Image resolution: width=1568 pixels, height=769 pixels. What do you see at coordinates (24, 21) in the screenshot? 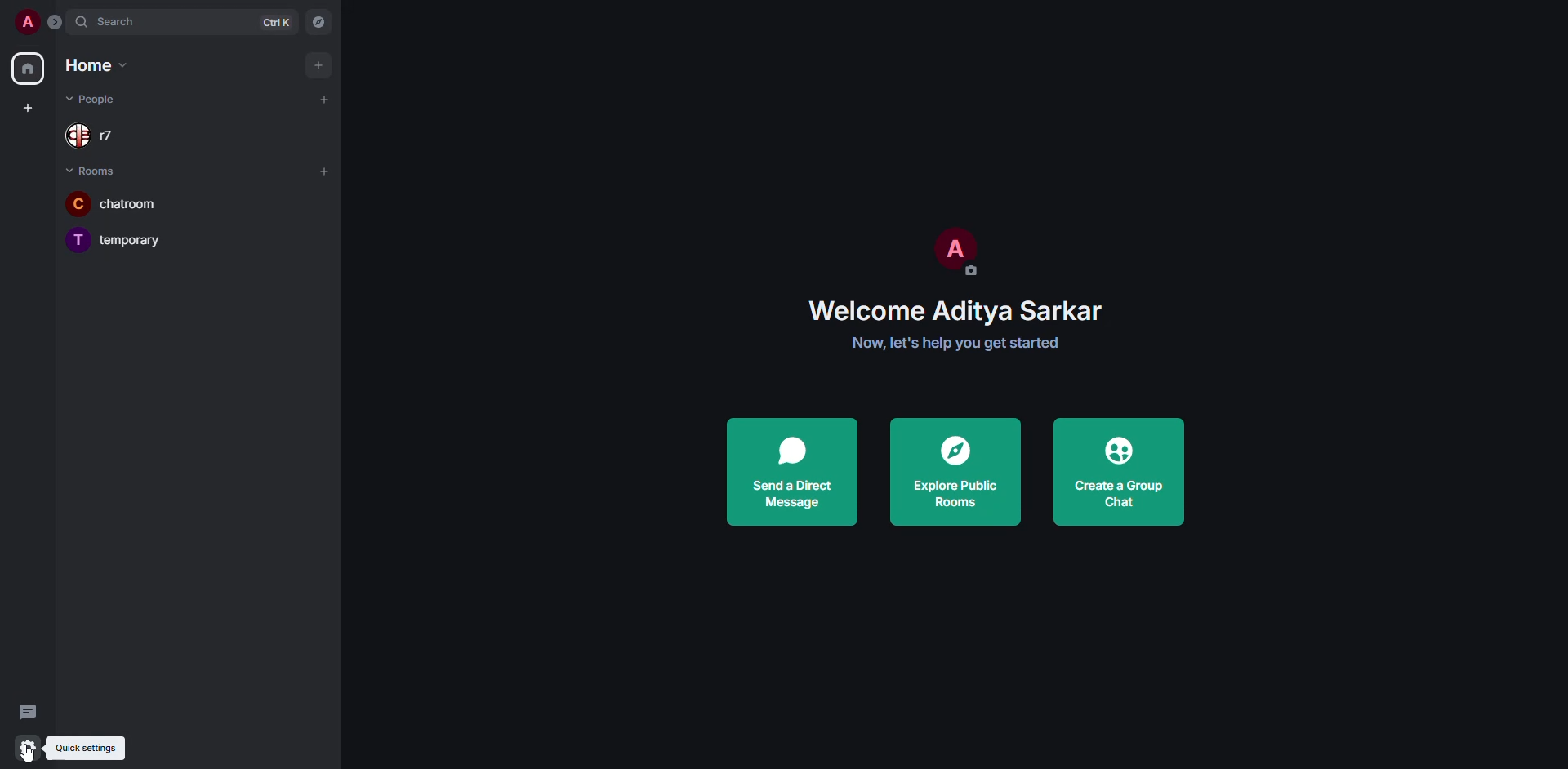
I see `profile` at bounding box center [24, 21].